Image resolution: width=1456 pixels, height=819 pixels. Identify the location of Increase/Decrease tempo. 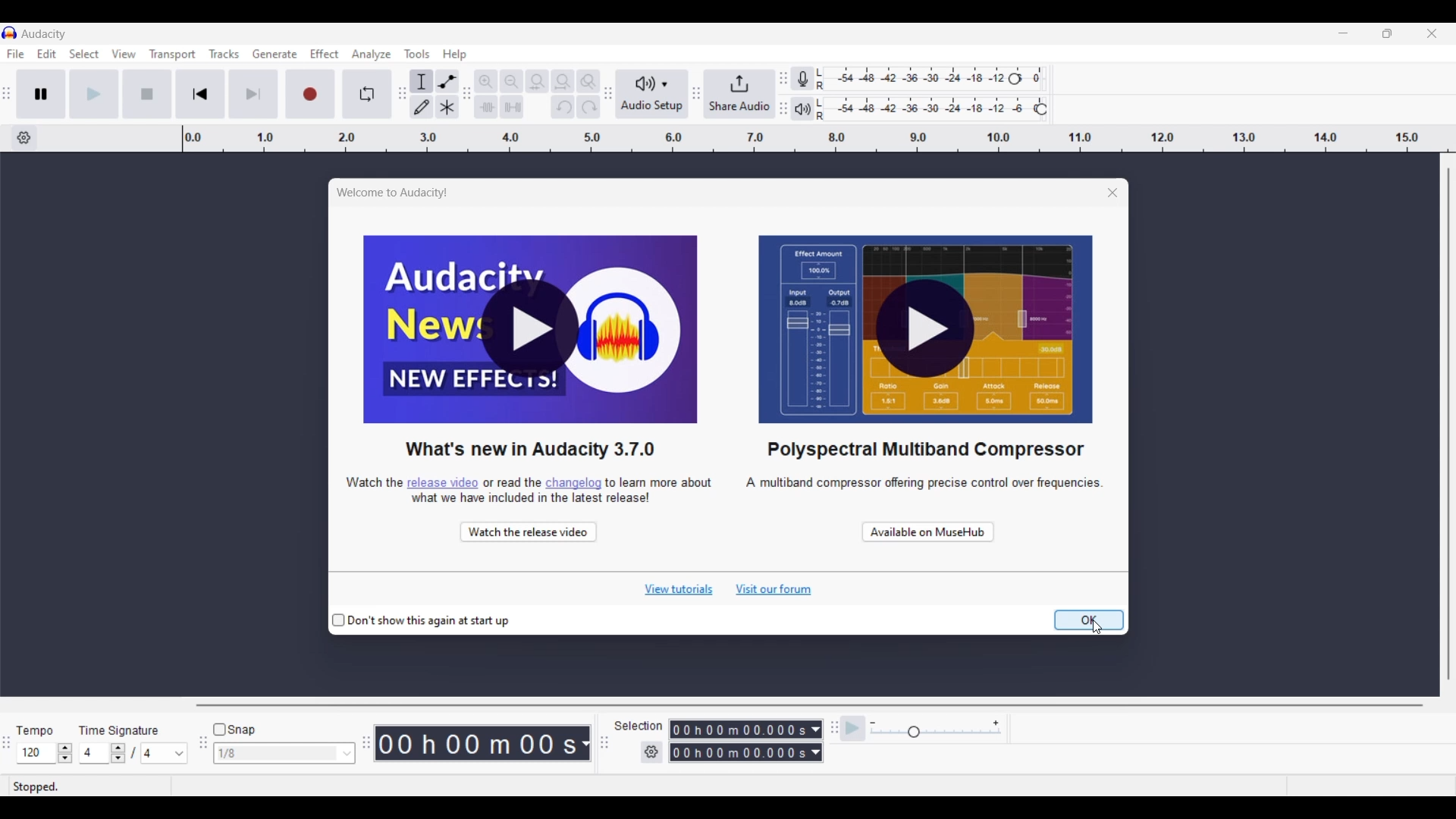
(65, 753).